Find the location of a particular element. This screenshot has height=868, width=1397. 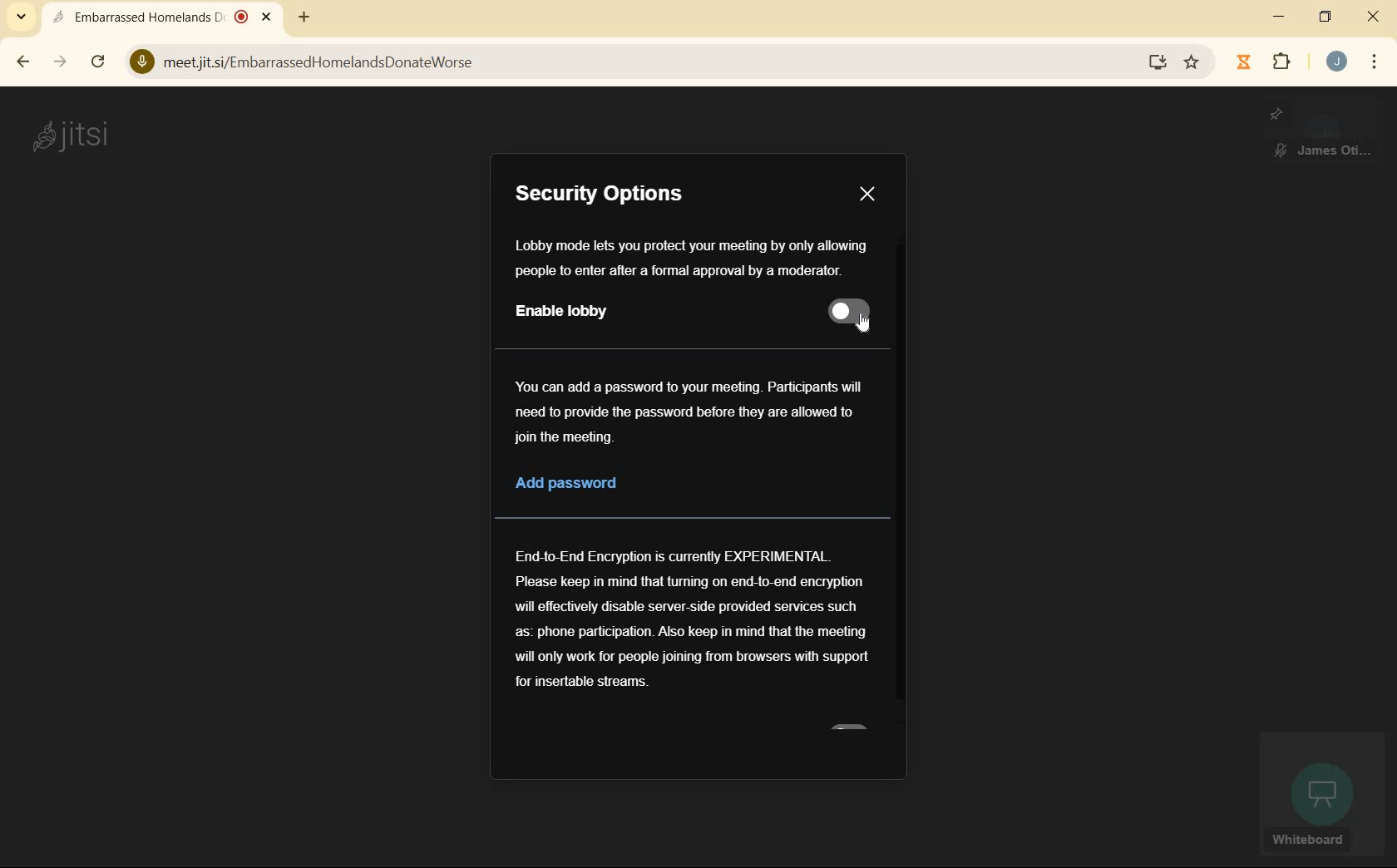

account is located at coordinates (1337, 63).